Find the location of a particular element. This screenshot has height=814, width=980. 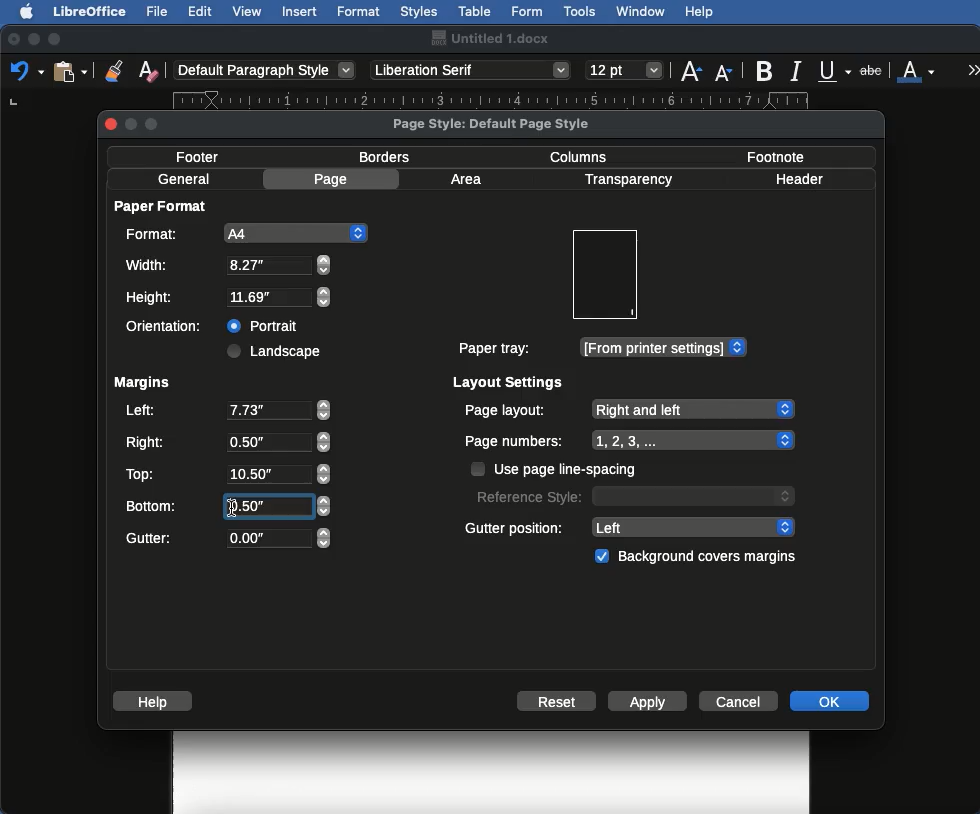

Right is located at coordinates (226, 443).